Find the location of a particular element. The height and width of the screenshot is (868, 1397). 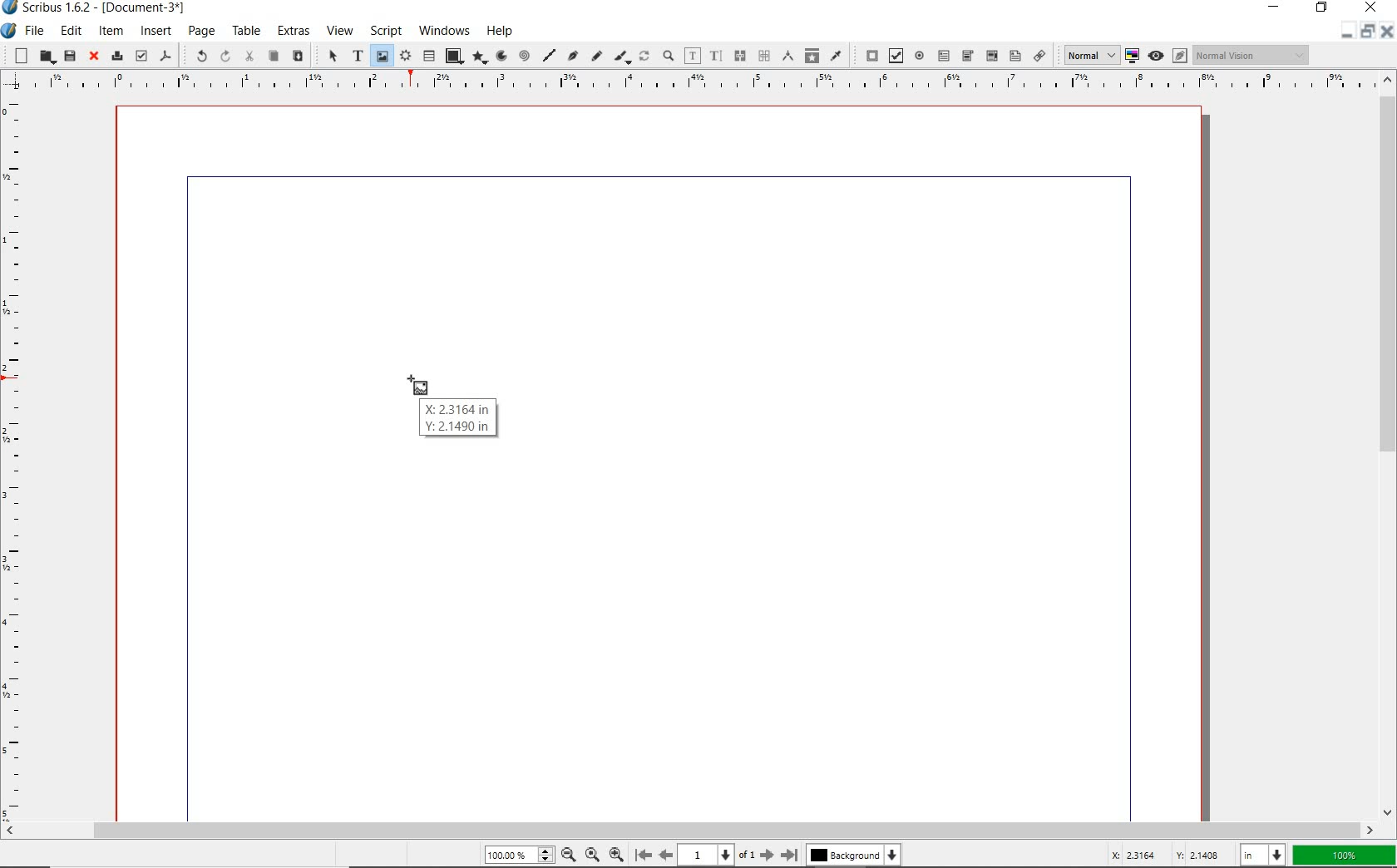

coordinates is located at coordinates (1163, 856).